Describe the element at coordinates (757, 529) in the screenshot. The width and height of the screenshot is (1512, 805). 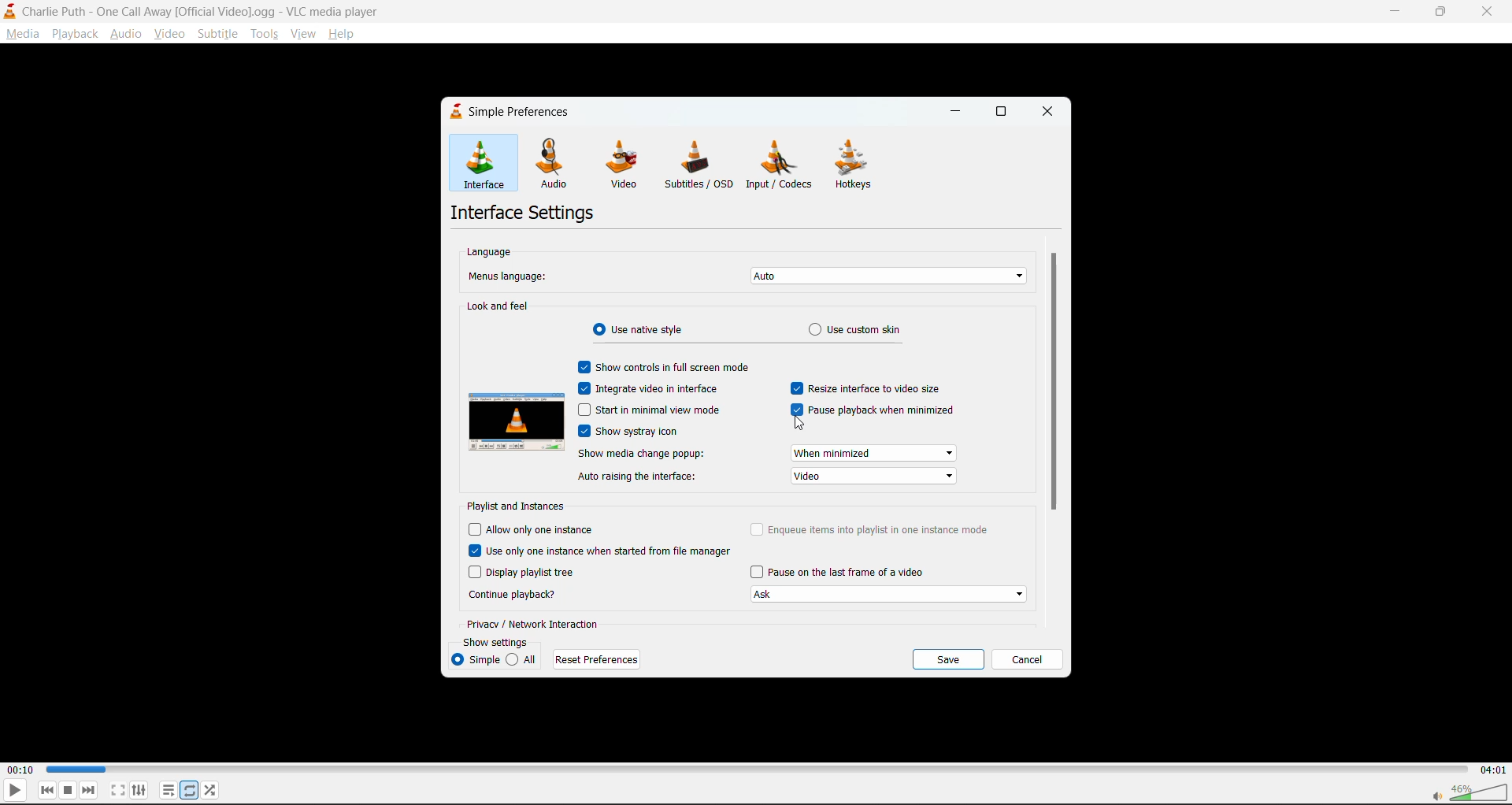
I see `Checbox` at that location.